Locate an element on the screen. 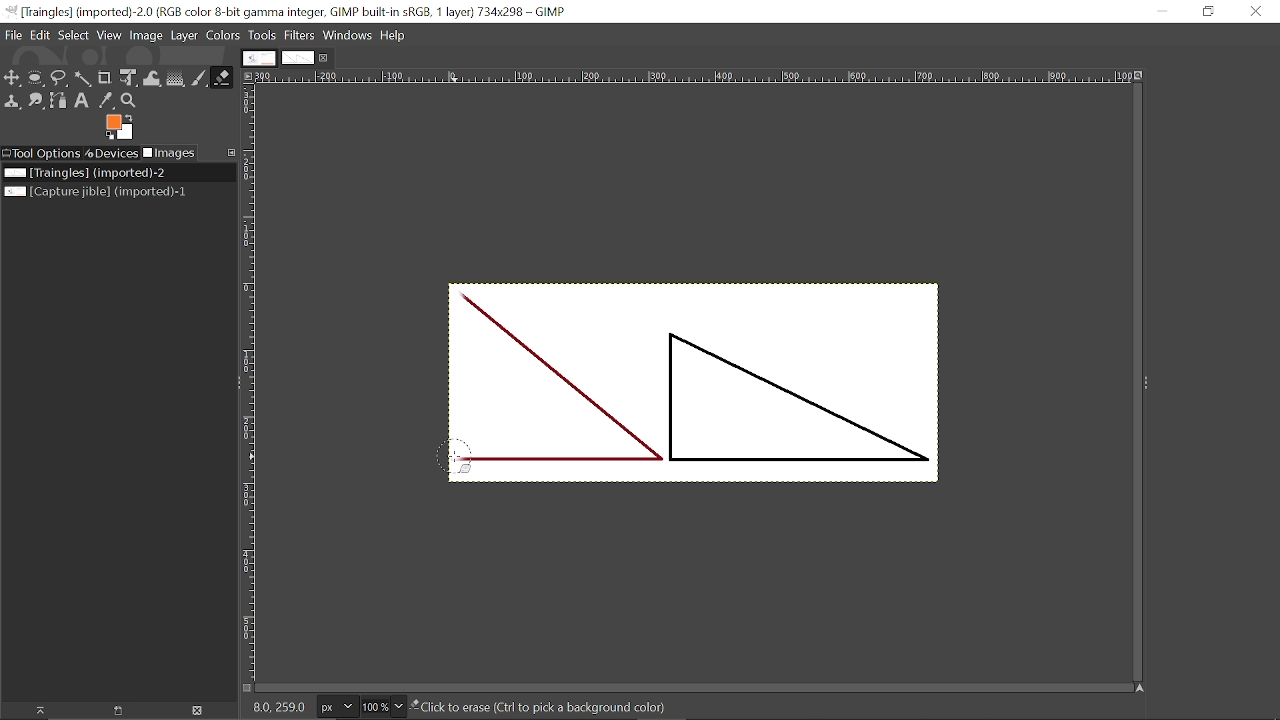 Image resolution: width=1280 pixels, height=720 pixels. Access the image menu is located at coordinates (247, 75).